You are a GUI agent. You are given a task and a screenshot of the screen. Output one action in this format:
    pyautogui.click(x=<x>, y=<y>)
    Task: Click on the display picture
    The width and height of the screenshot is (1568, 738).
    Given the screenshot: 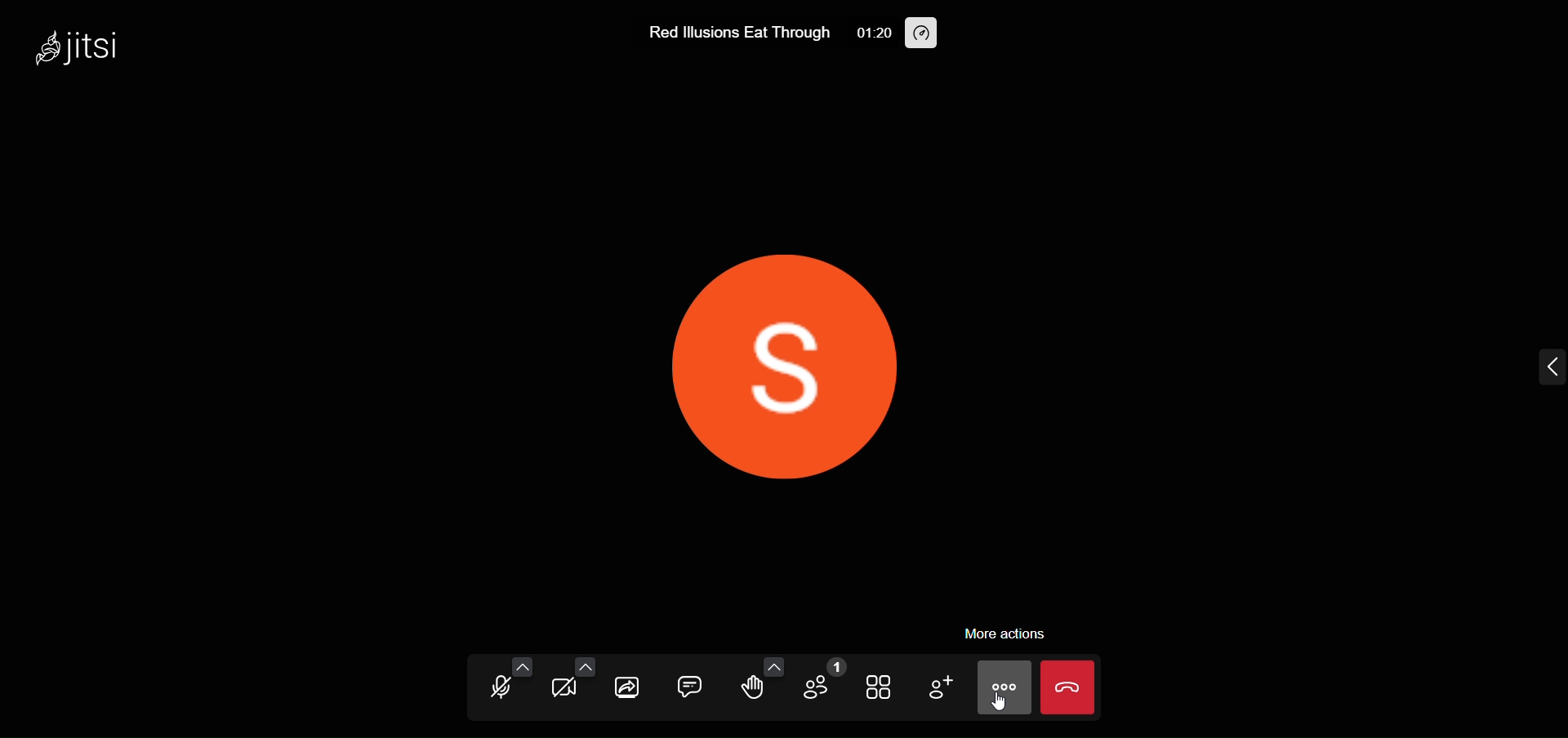 What is the action you would take?
    pyautogui.click(x=782, y=362)
    